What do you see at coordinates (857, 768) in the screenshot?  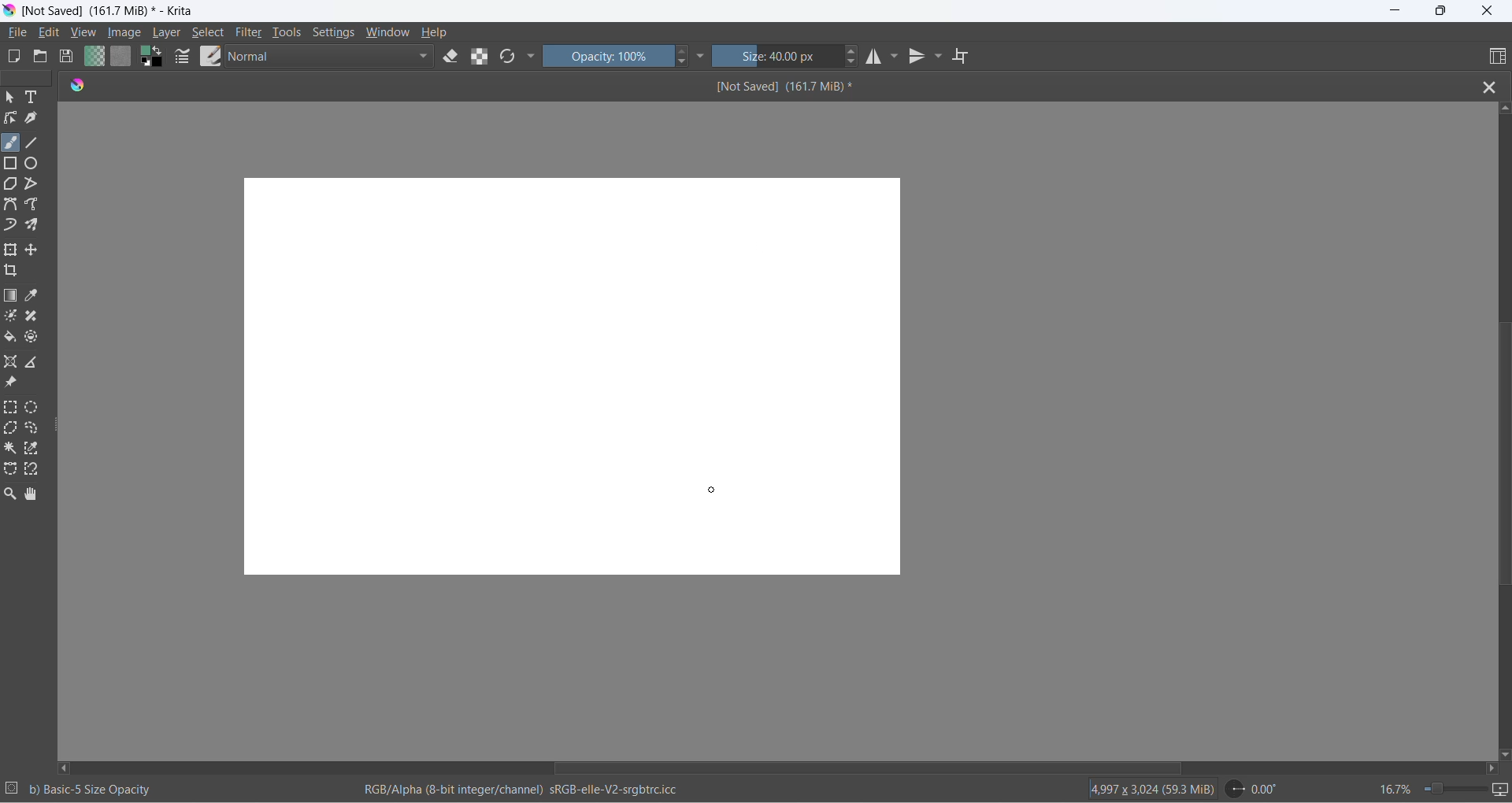 I see `horizontal scroll bar` at bounding box center [857, 768].